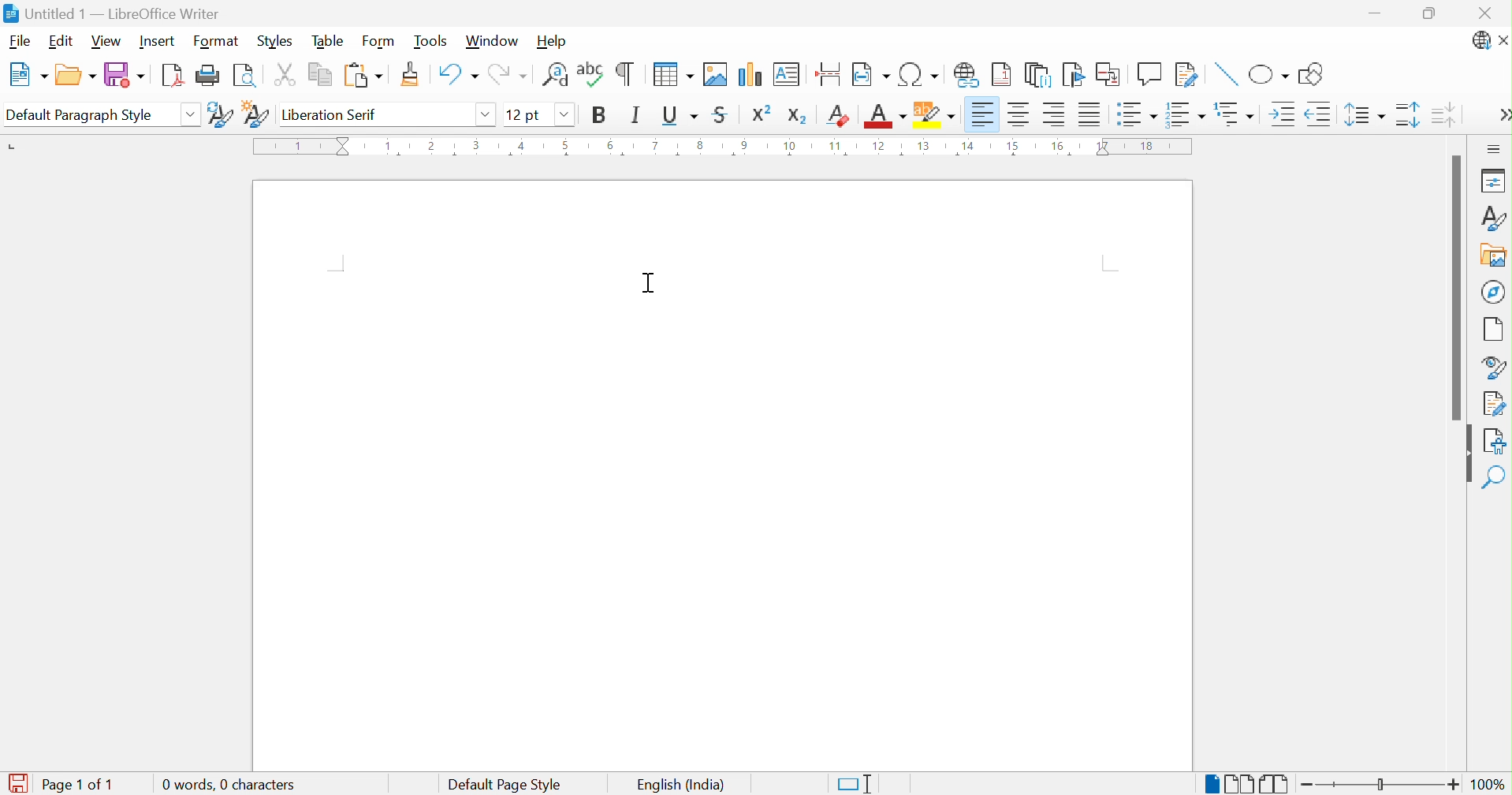 The image size is (1512, 795). I want to click on Properties, so click(1495, 182).